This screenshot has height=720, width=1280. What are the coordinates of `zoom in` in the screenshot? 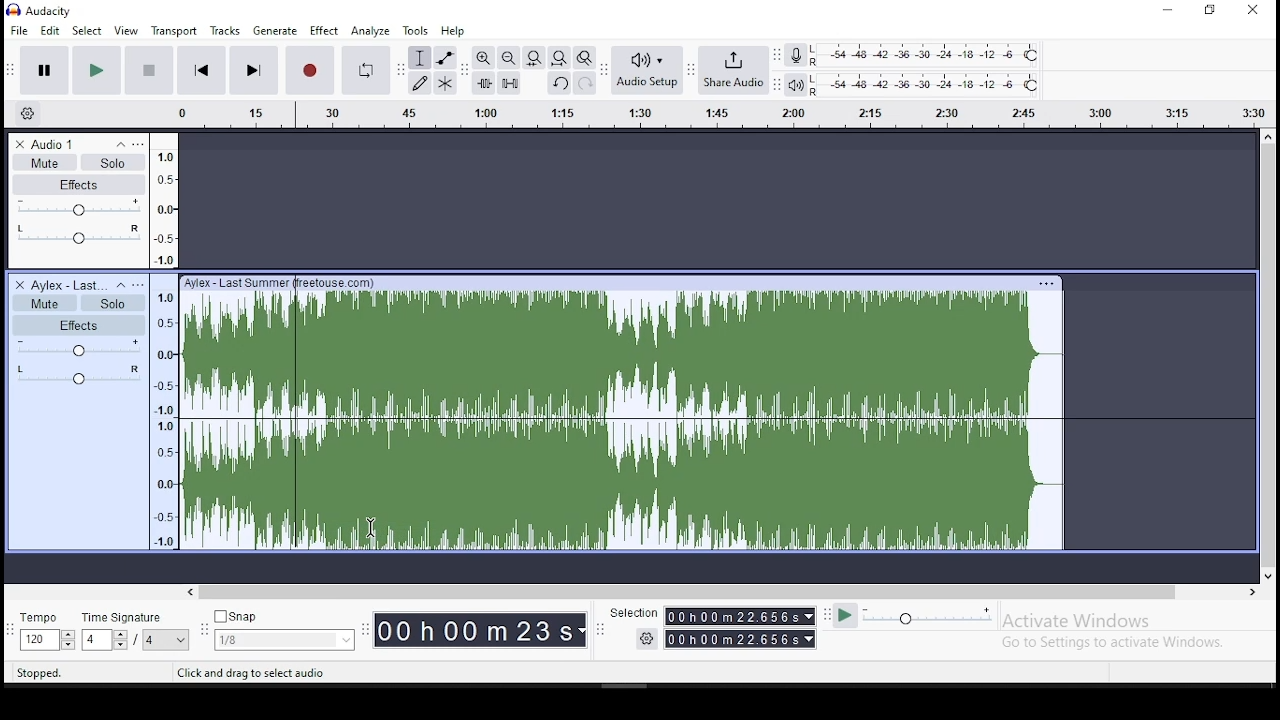 It's located at (482, 58).